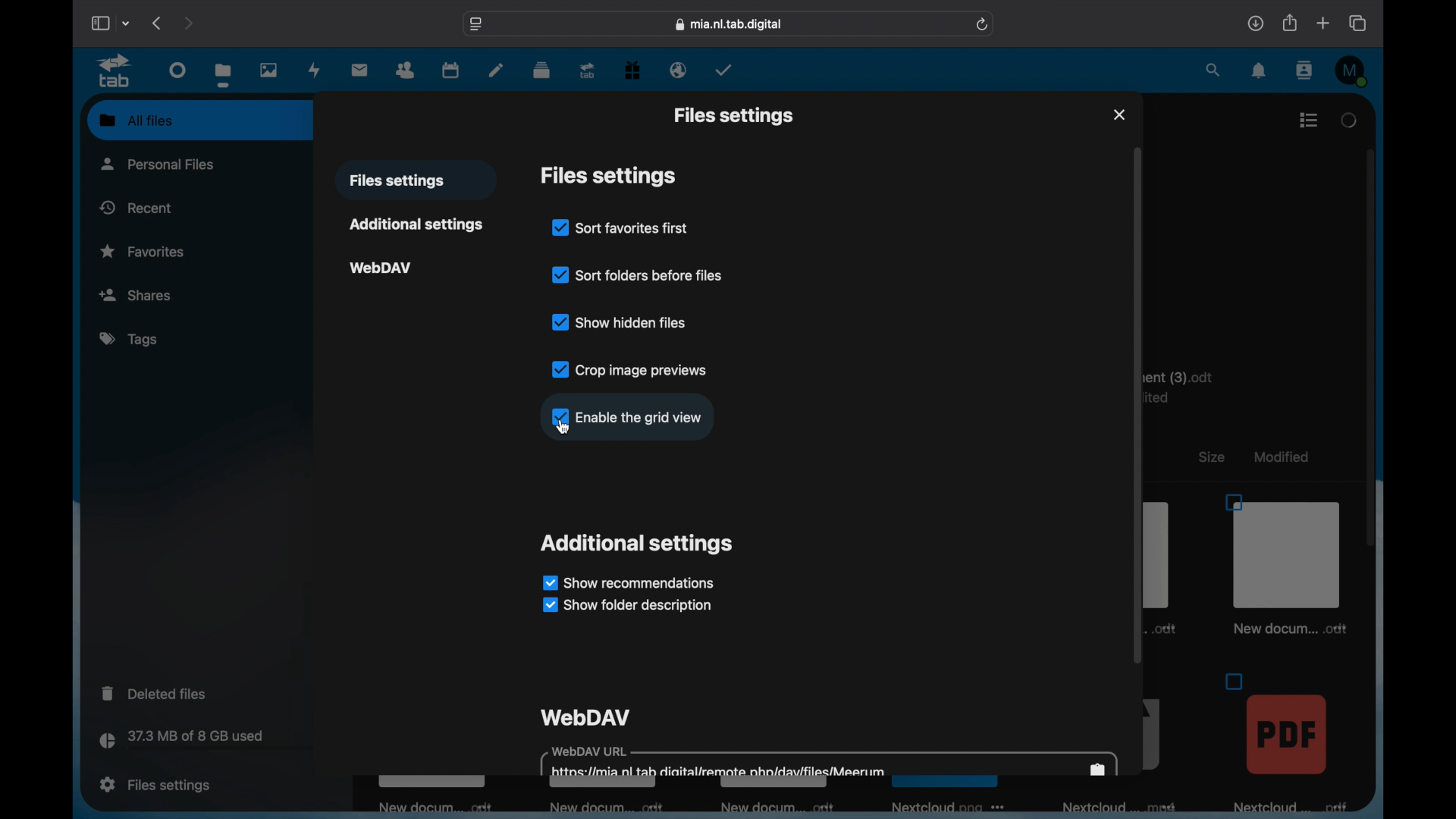  I want to click on additional settings, so click(416, 224).